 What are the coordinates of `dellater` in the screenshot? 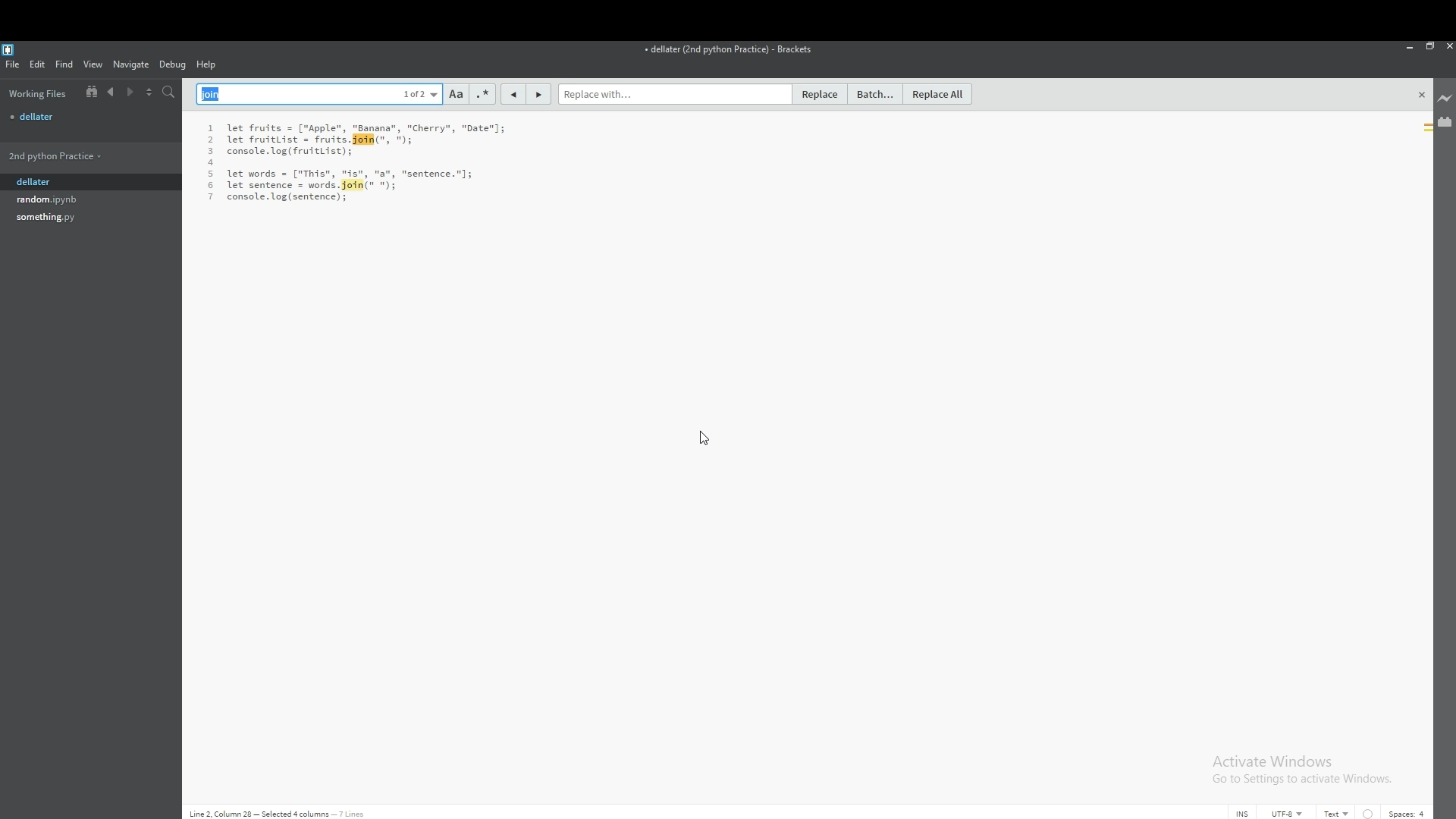 It's located at (71, 183).